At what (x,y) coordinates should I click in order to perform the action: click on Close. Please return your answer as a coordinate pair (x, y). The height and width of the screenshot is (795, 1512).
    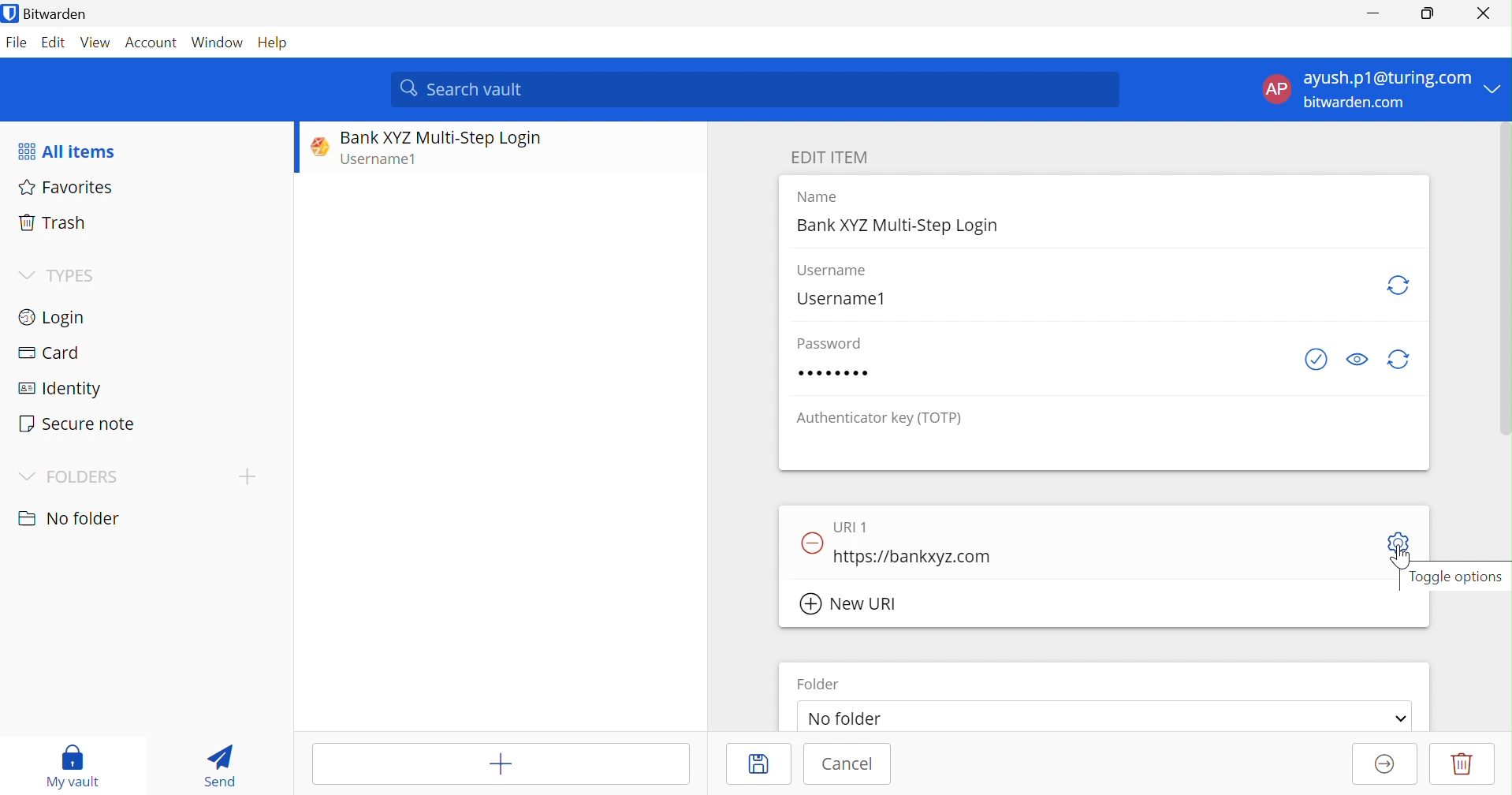
    Looking at the image, I should click on (1487, 13).